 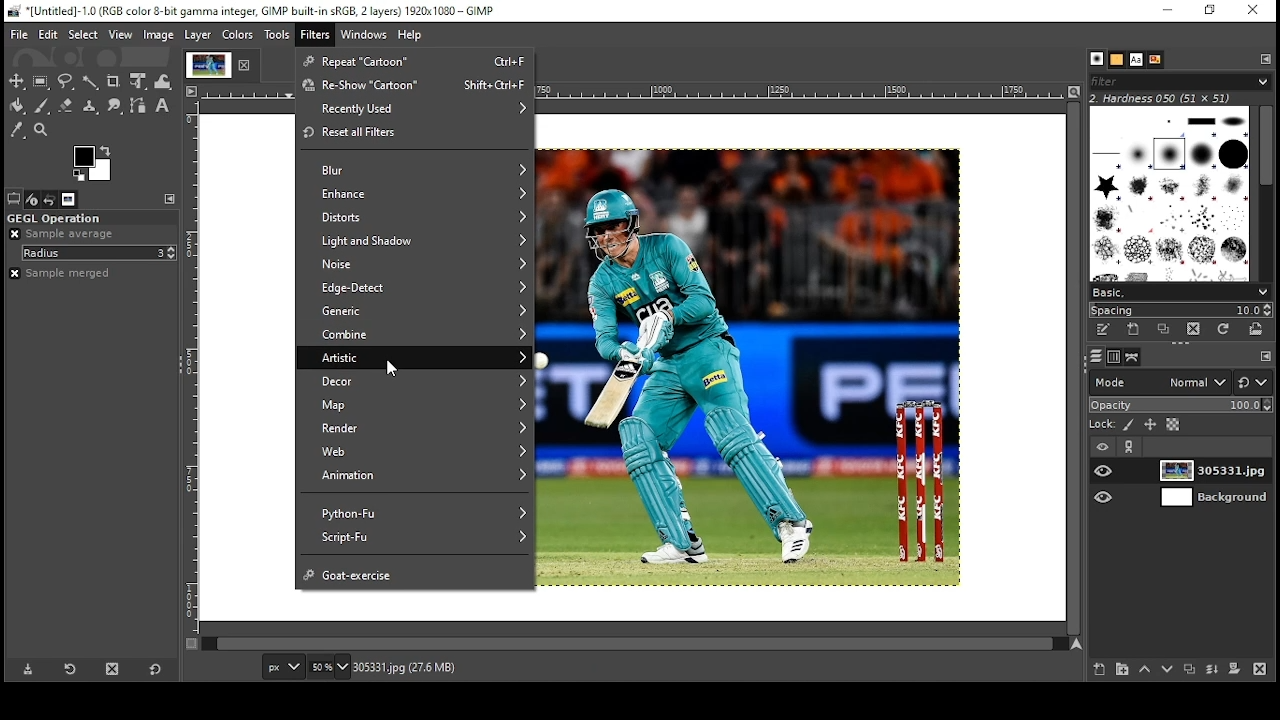 I want to click on light and shadow, so click(x=417, y=241).